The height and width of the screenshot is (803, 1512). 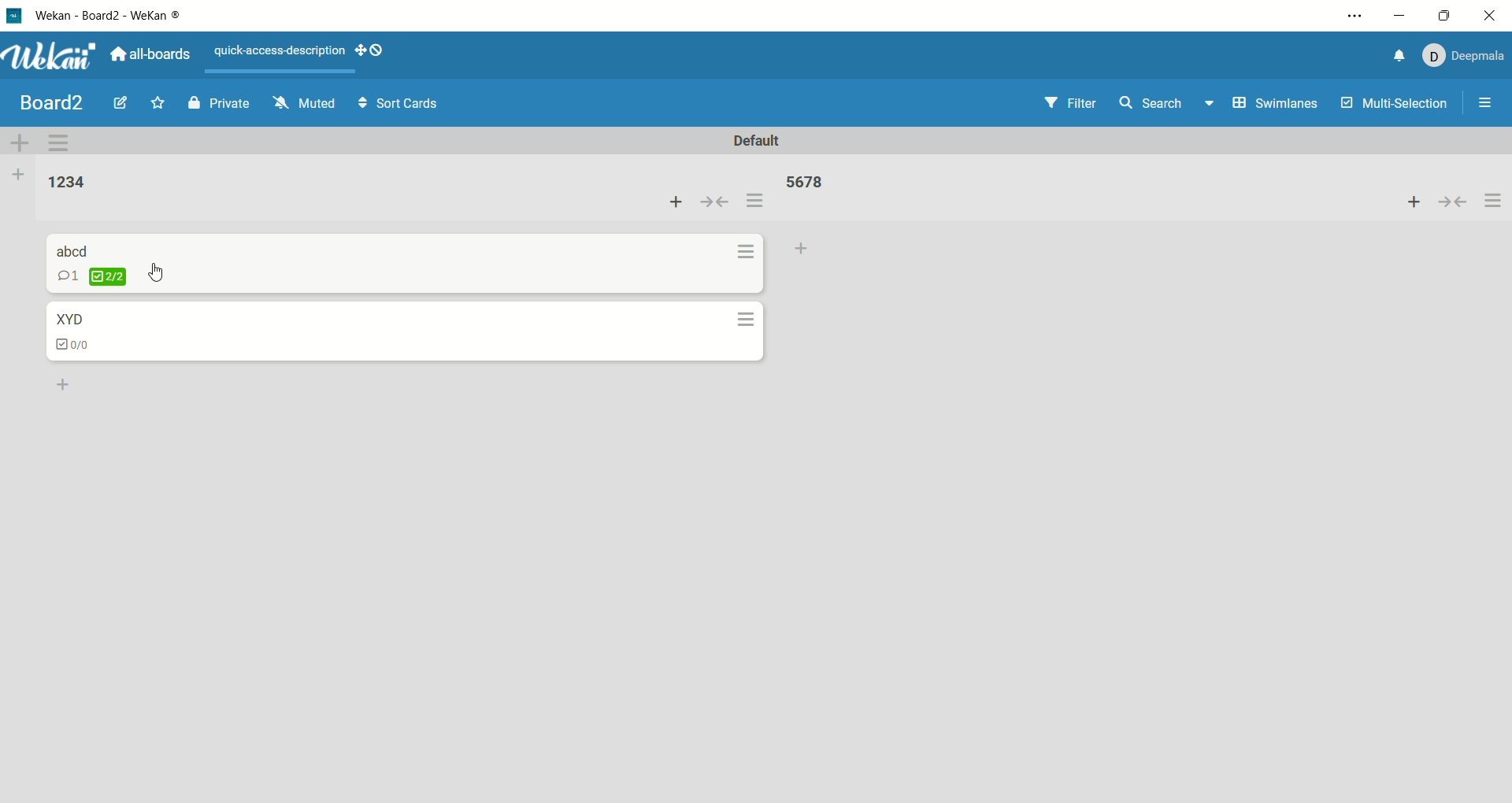 I want to click on SHOW-DESKTOP-DRAG-HANDLES, so click(x=370, y=51).